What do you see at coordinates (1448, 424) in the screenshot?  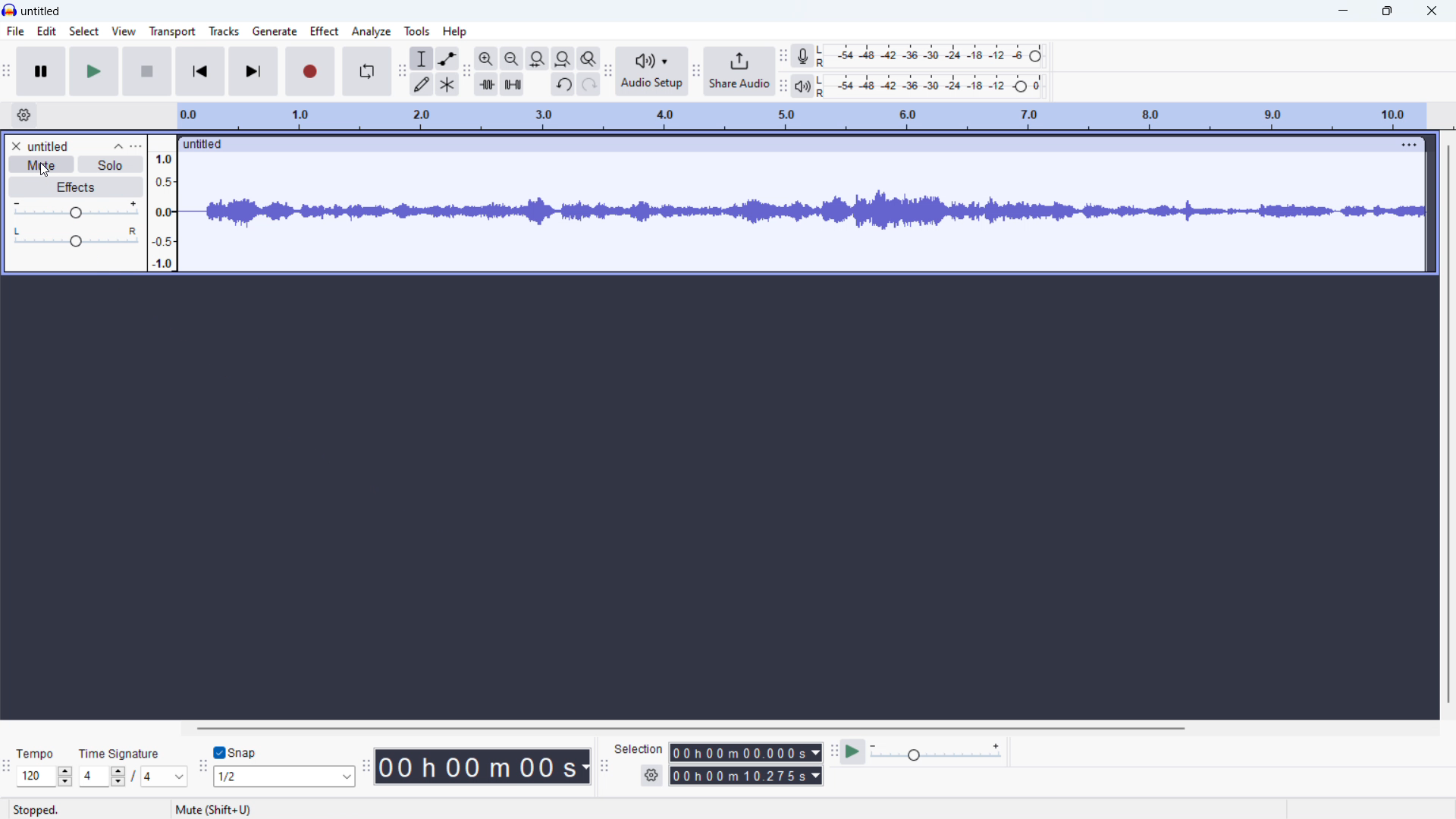 I see `vertical scrollbar` at bounding box center [1448, 424].